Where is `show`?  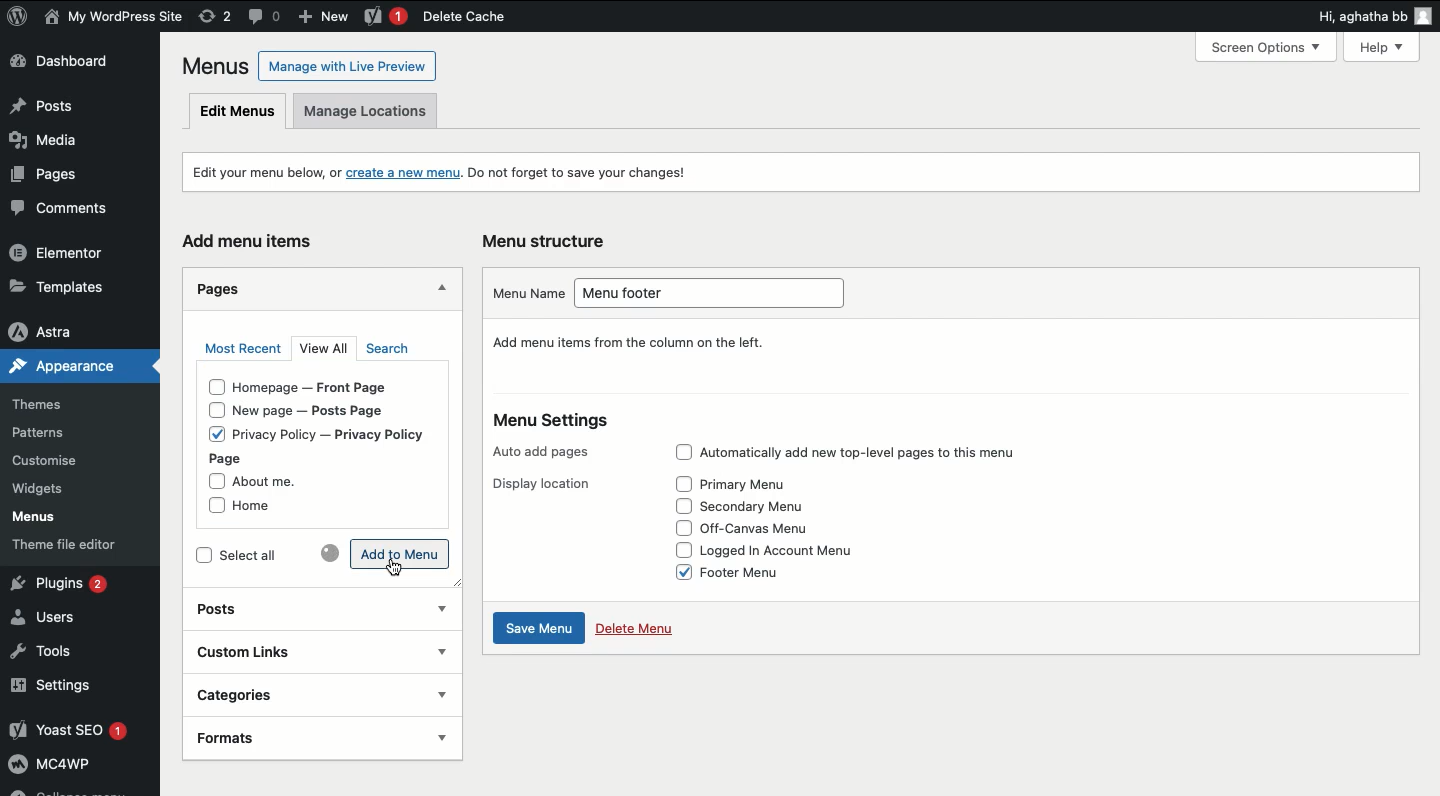 show is located at coordinates (441, 694).